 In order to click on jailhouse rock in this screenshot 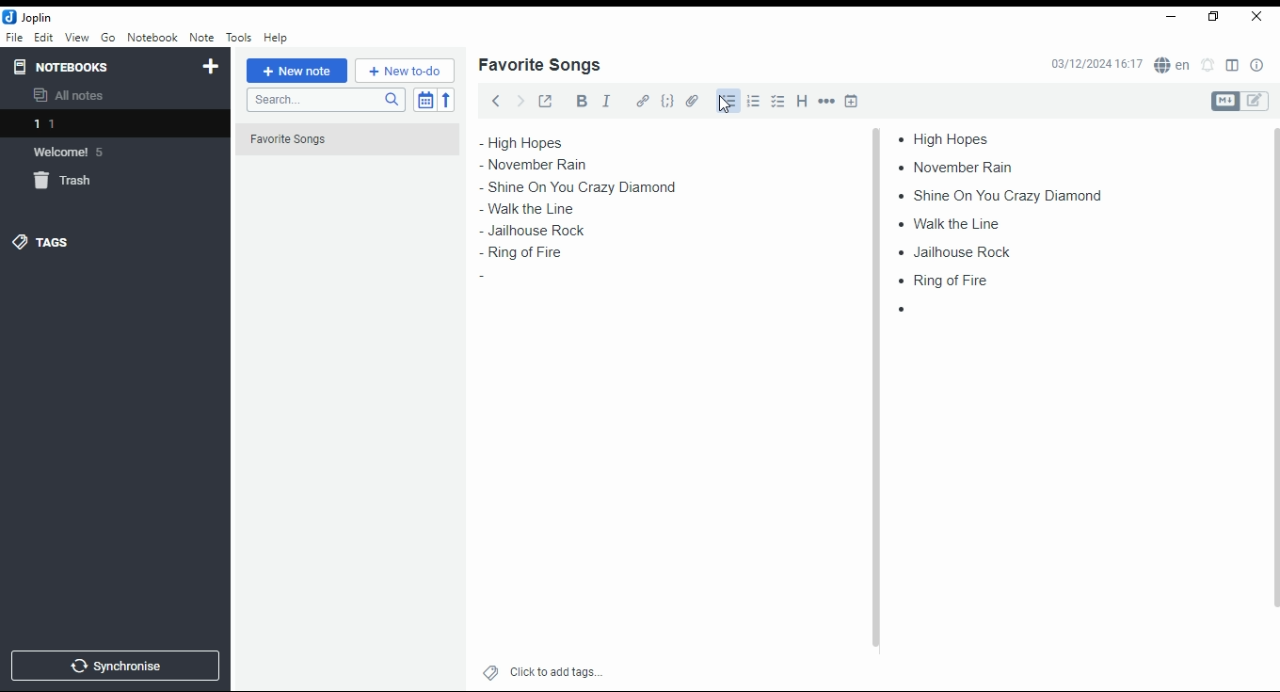, I will do `click(958, 253)`.